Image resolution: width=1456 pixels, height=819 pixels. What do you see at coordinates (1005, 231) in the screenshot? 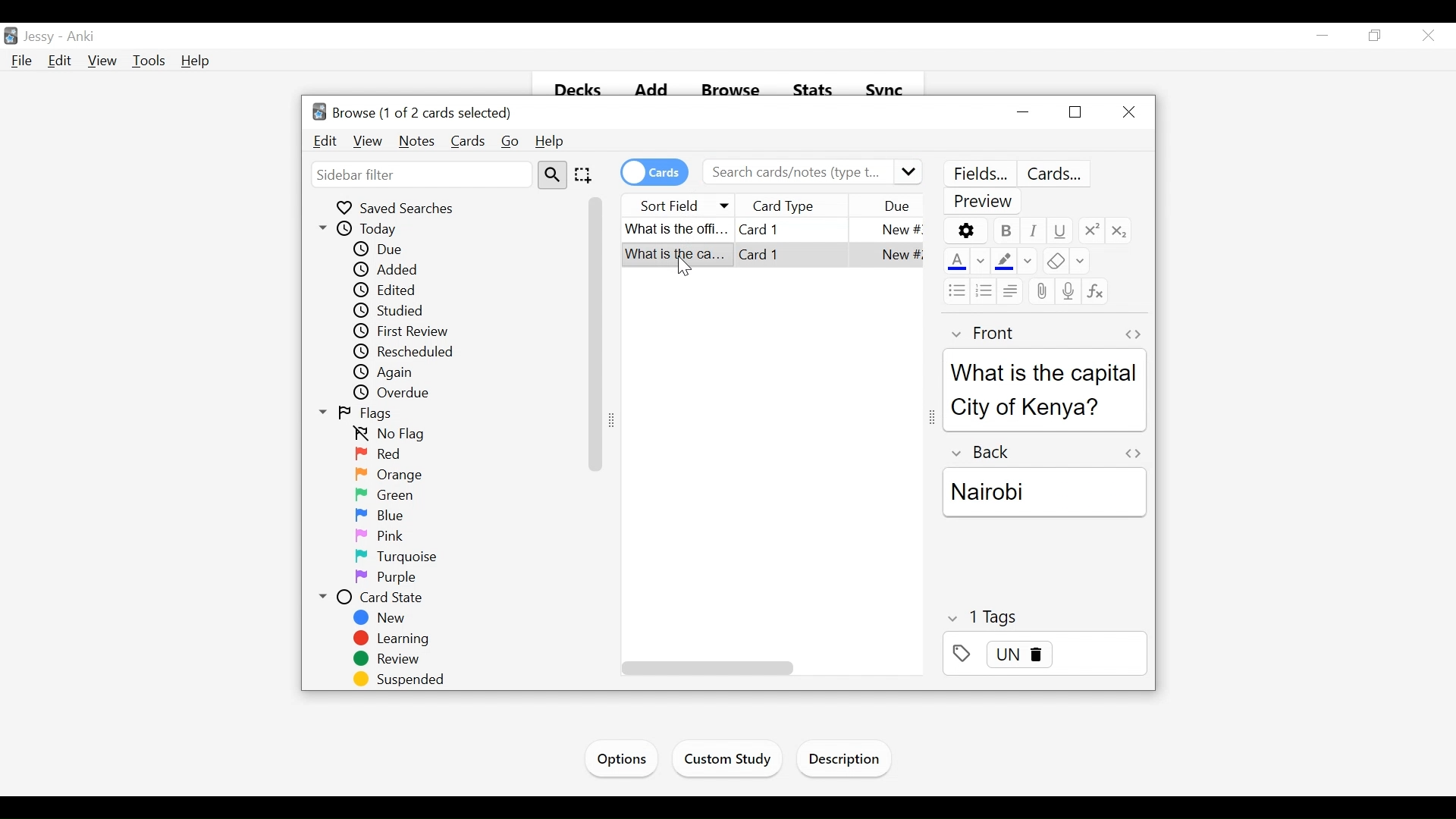
I see `Bold` at bounding box center [1005, 231].